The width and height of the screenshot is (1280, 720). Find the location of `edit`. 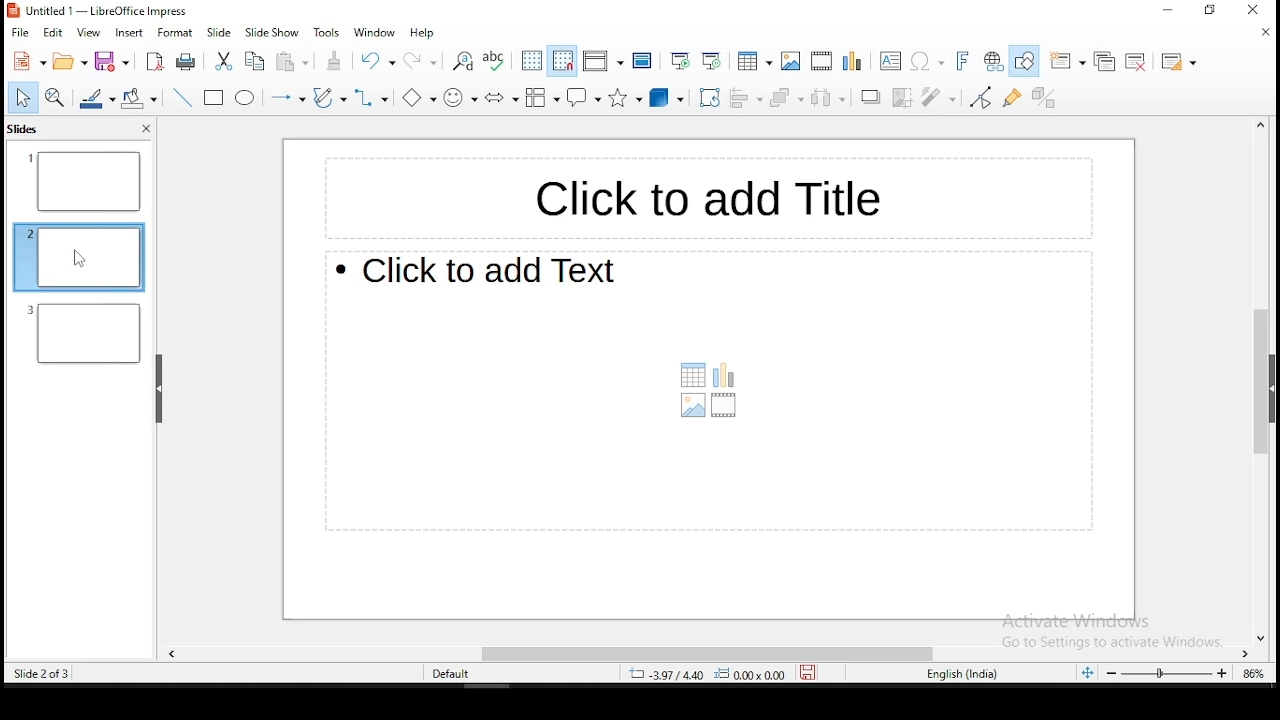

edit is located at coordinates (53, 35).